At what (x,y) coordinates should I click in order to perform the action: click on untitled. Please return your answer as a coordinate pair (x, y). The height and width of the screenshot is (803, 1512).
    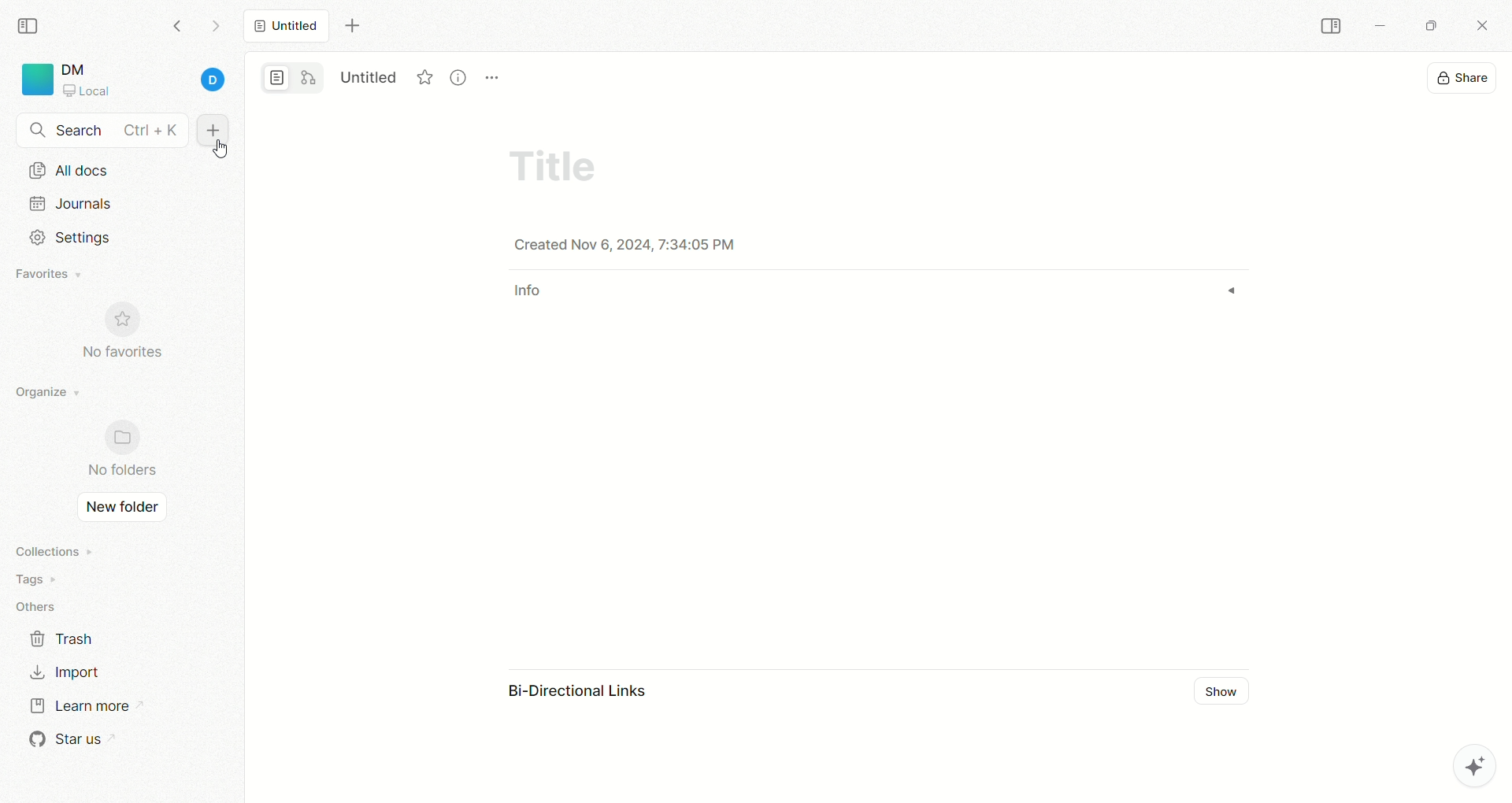
    Looking at the image, I should click on (286, 24).